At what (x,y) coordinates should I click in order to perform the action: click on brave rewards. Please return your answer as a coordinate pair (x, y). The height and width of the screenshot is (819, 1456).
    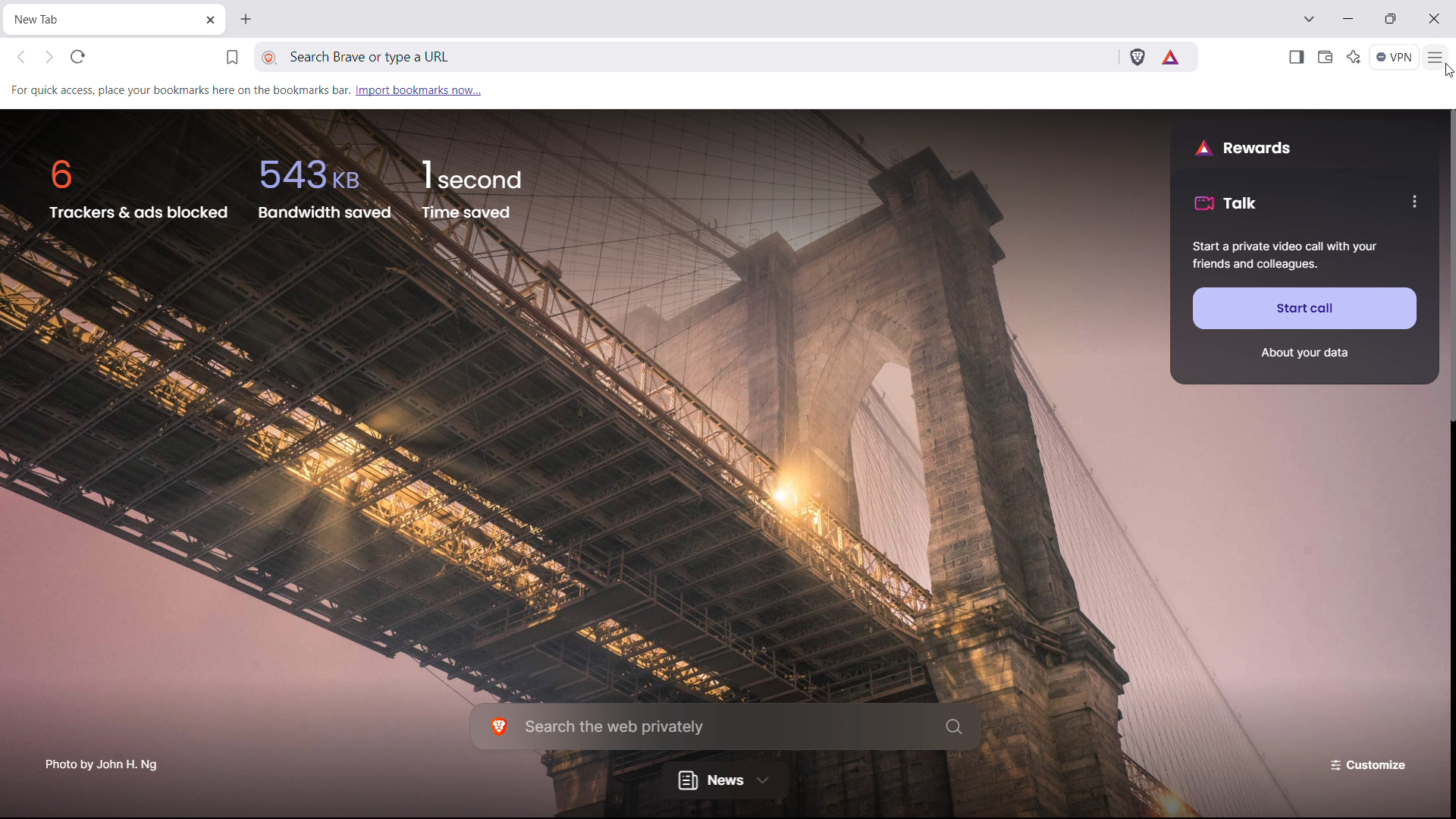
    Looking at the image, I should click on (1172, 56).